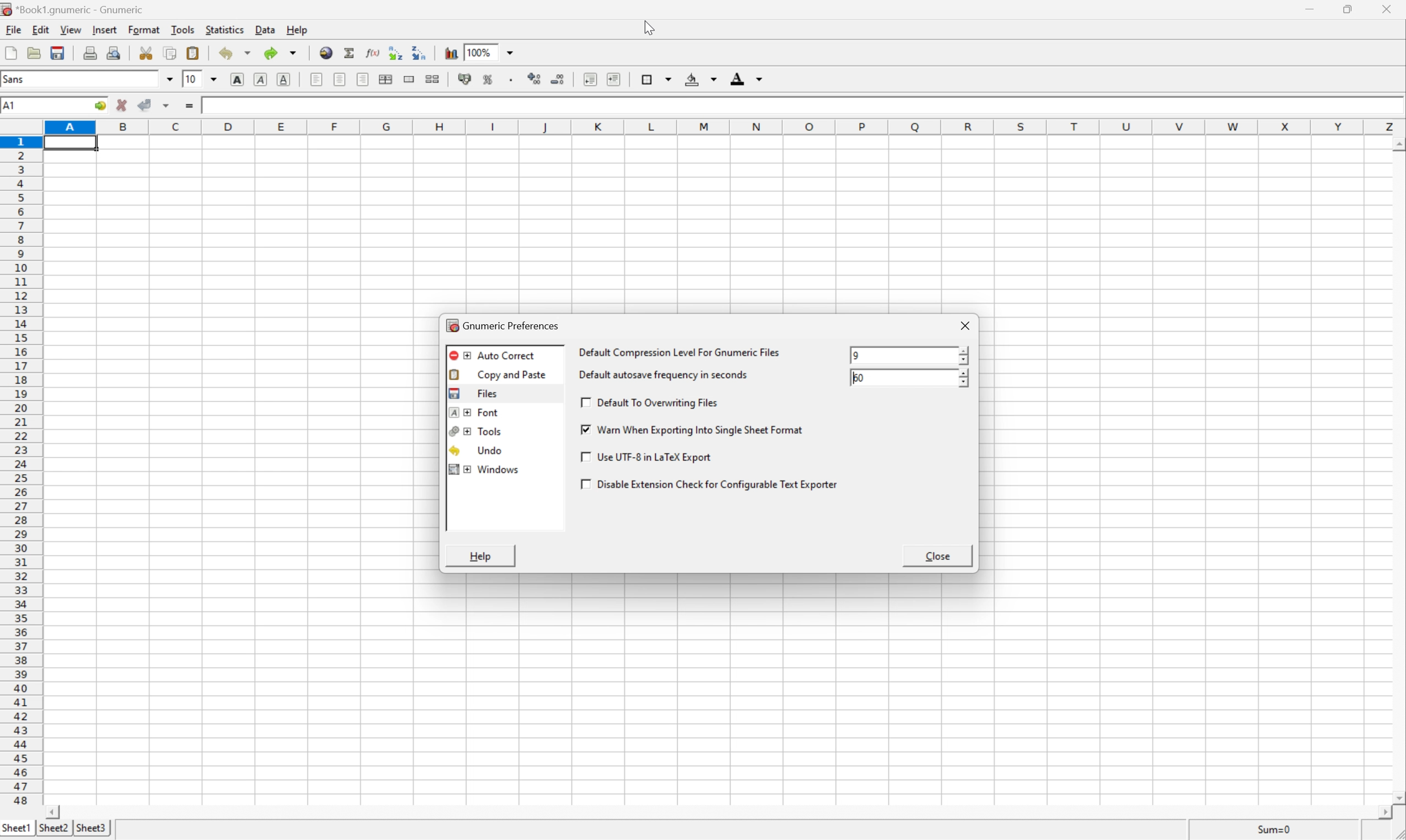  What do you see at coordinates (507, 327) in the screenshot?
I see `gnumeric preferences` at bounding box center [507, 327].